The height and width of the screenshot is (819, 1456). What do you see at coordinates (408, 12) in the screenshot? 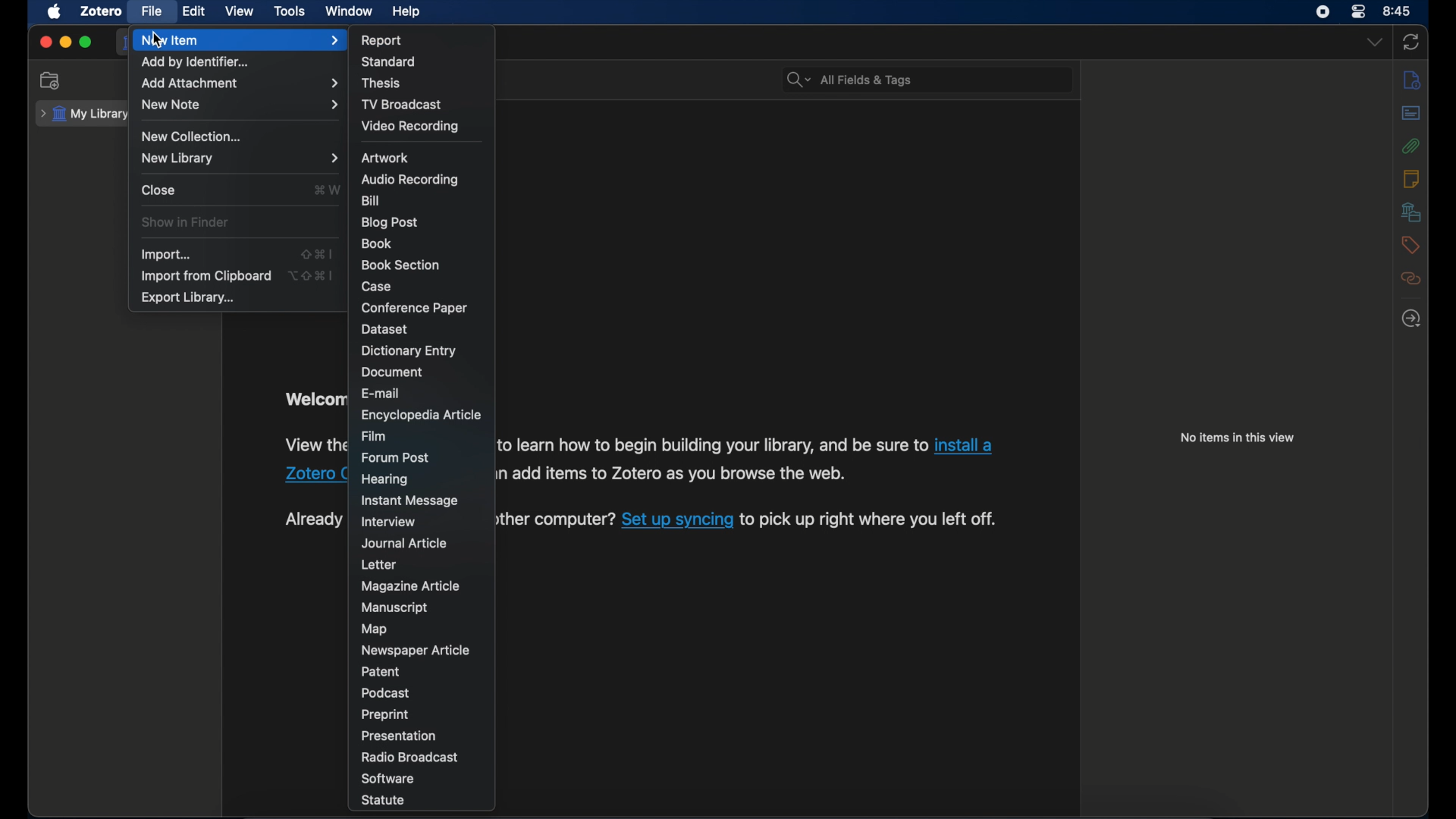
I see `help` at bounding box center [408, 12].